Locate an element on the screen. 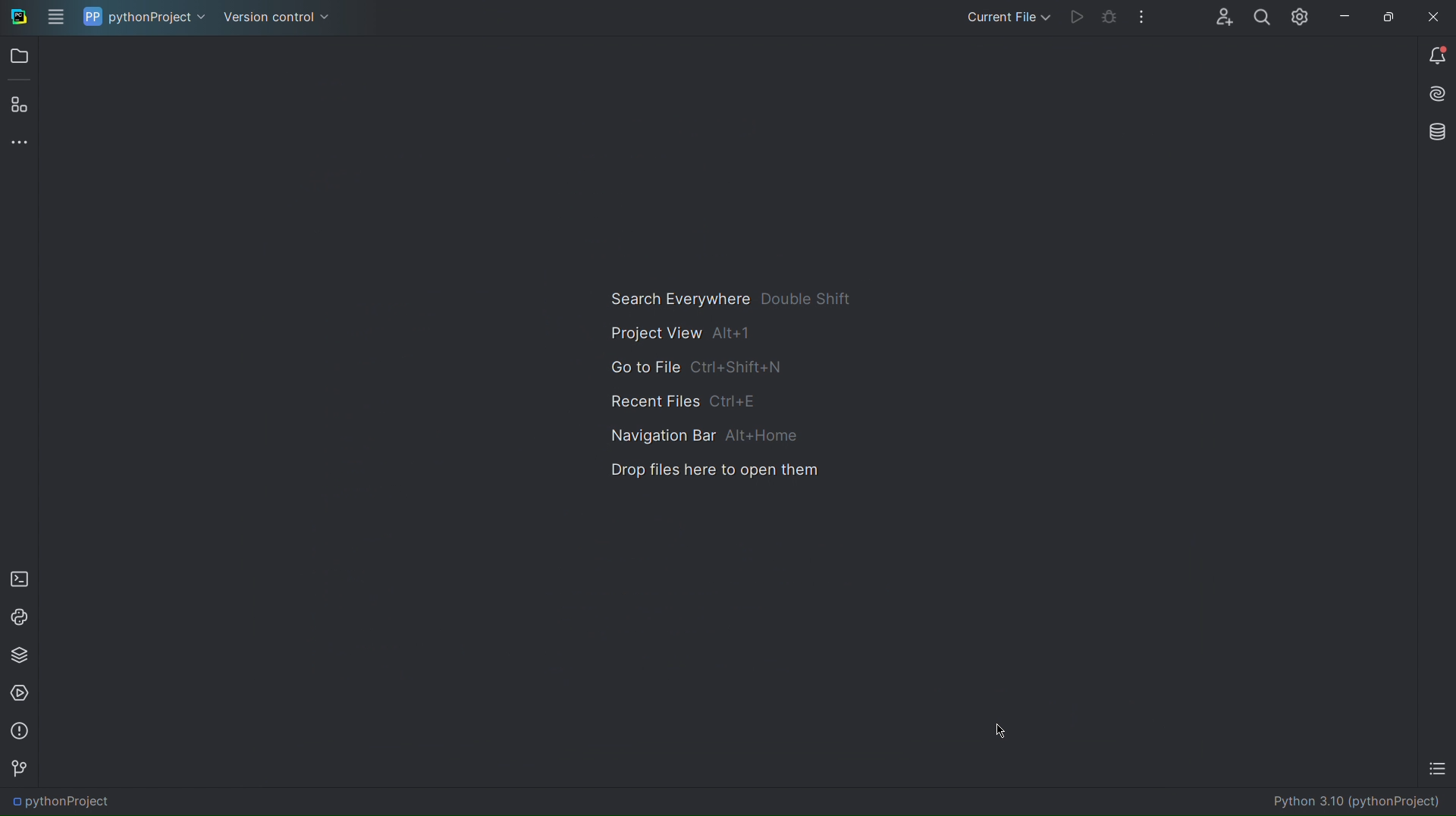 Image resolution: width=1456 pixels, height=816 pixels. Cursor is located at coordinates (1001, 731).